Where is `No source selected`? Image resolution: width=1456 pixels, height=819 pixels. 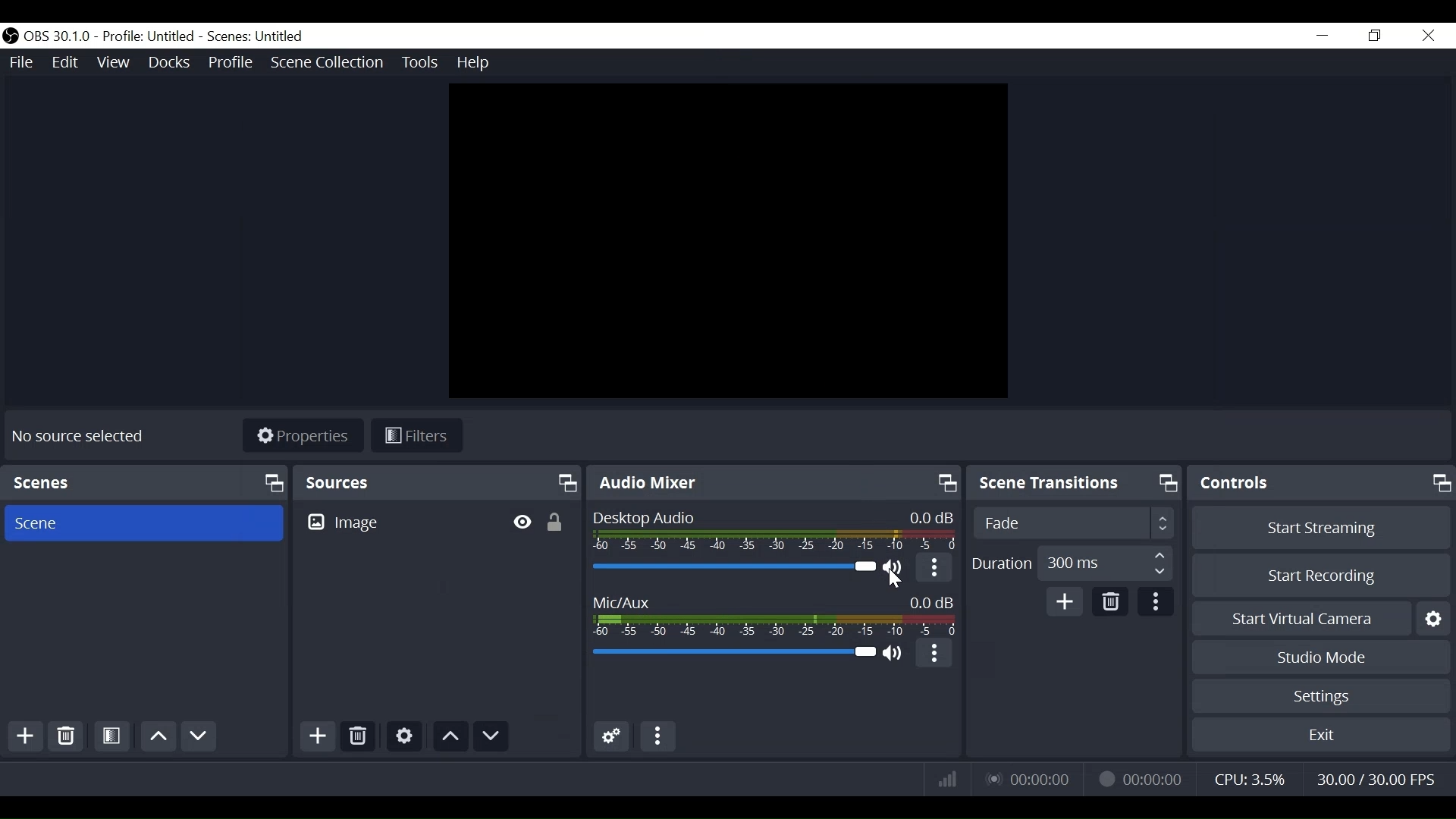
No source selected is located at coordinates (80, 436).